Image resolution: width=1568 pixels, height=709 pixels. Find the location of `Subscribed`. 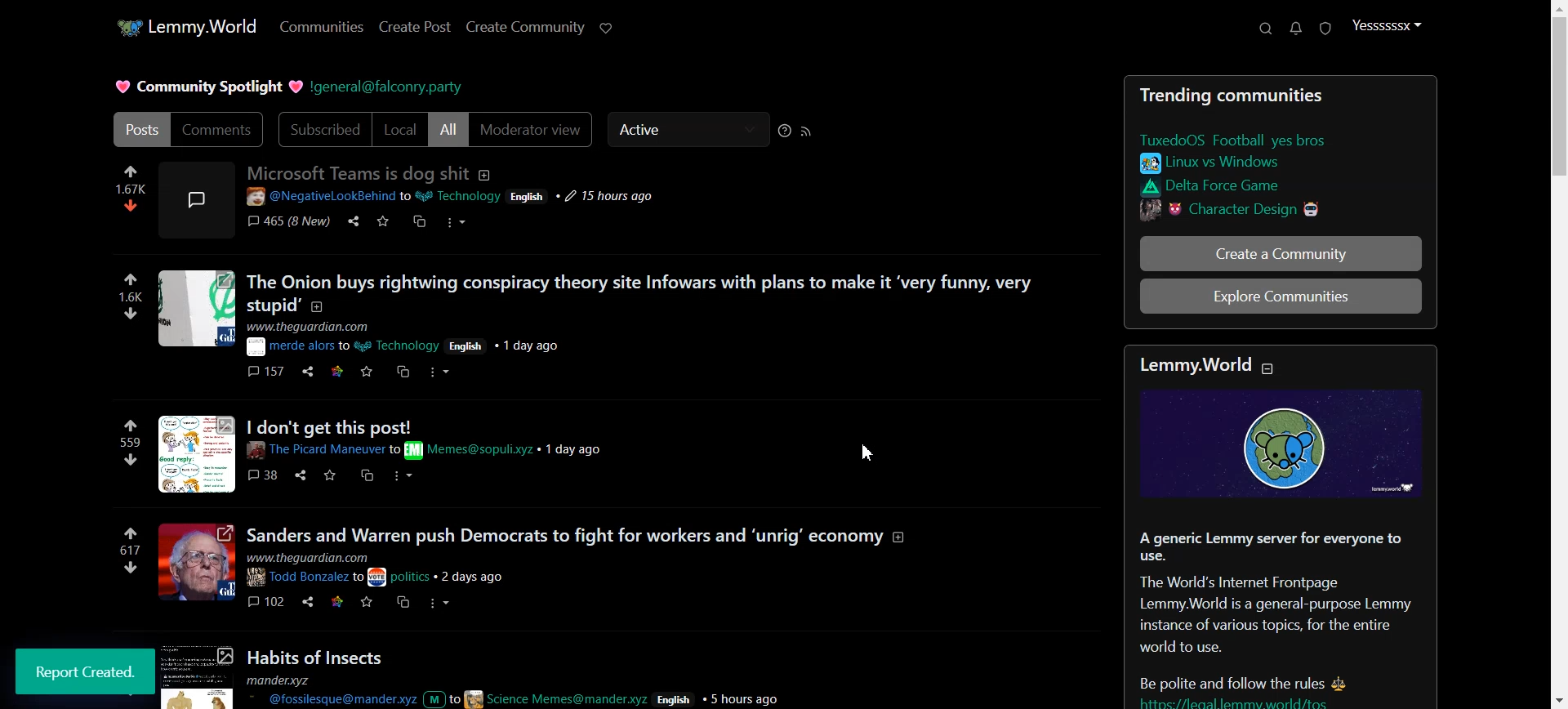

Subscribed is located at coordinates (323, 129).